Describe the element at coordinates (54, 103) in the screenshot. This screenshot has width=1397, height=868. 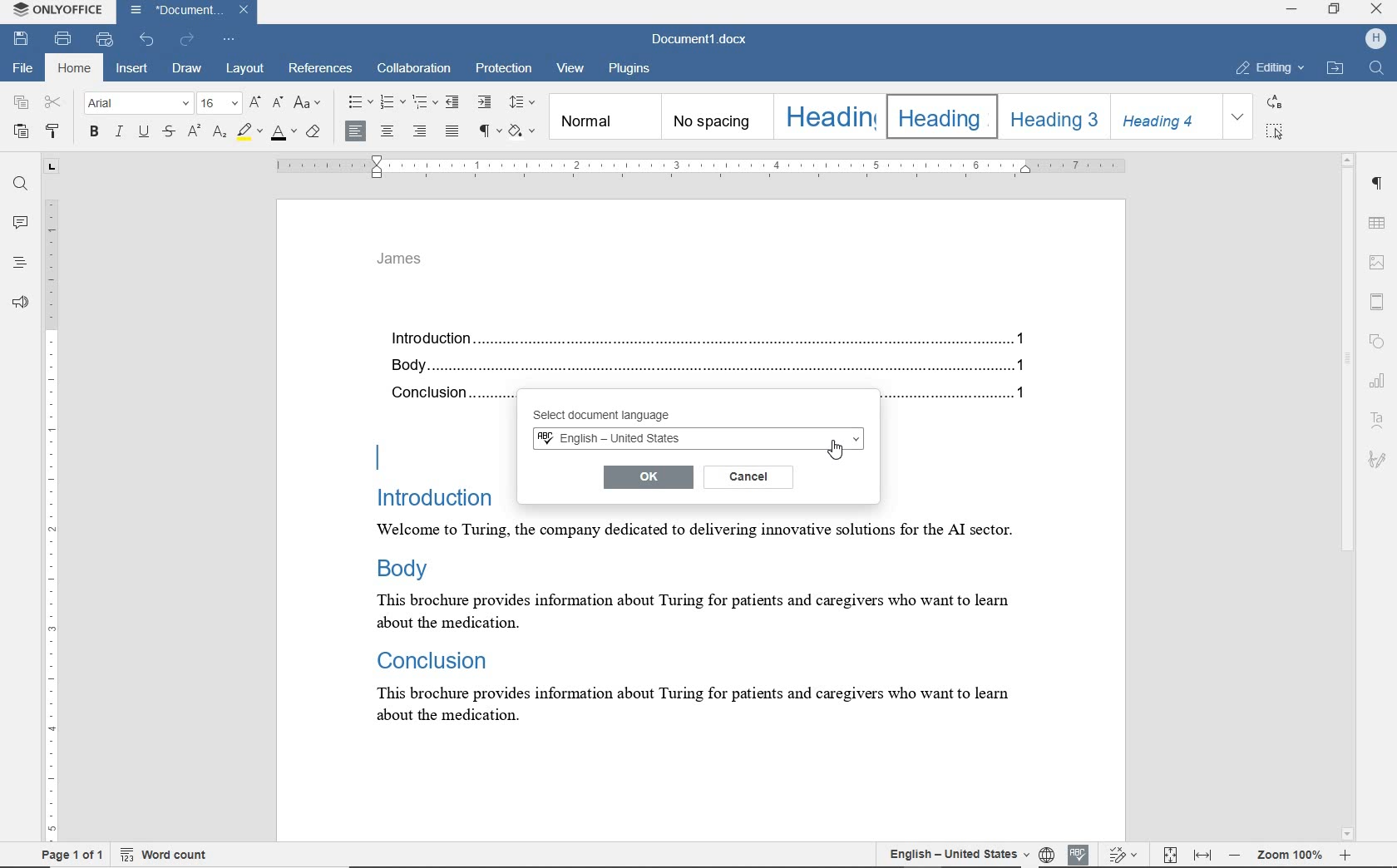
I see `cut` at that location.